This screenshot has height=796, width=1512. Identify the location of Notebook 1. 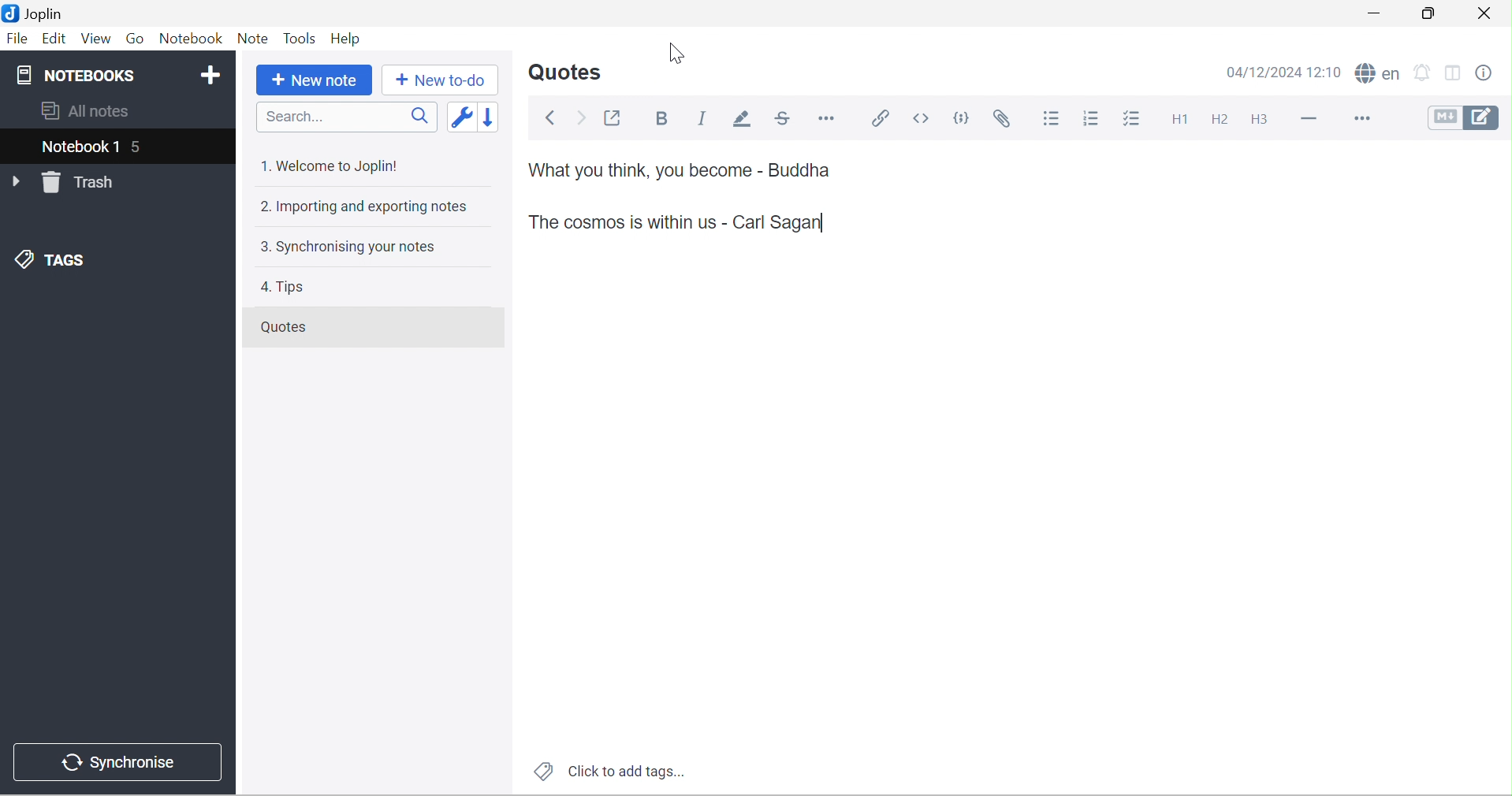
(77, 146).